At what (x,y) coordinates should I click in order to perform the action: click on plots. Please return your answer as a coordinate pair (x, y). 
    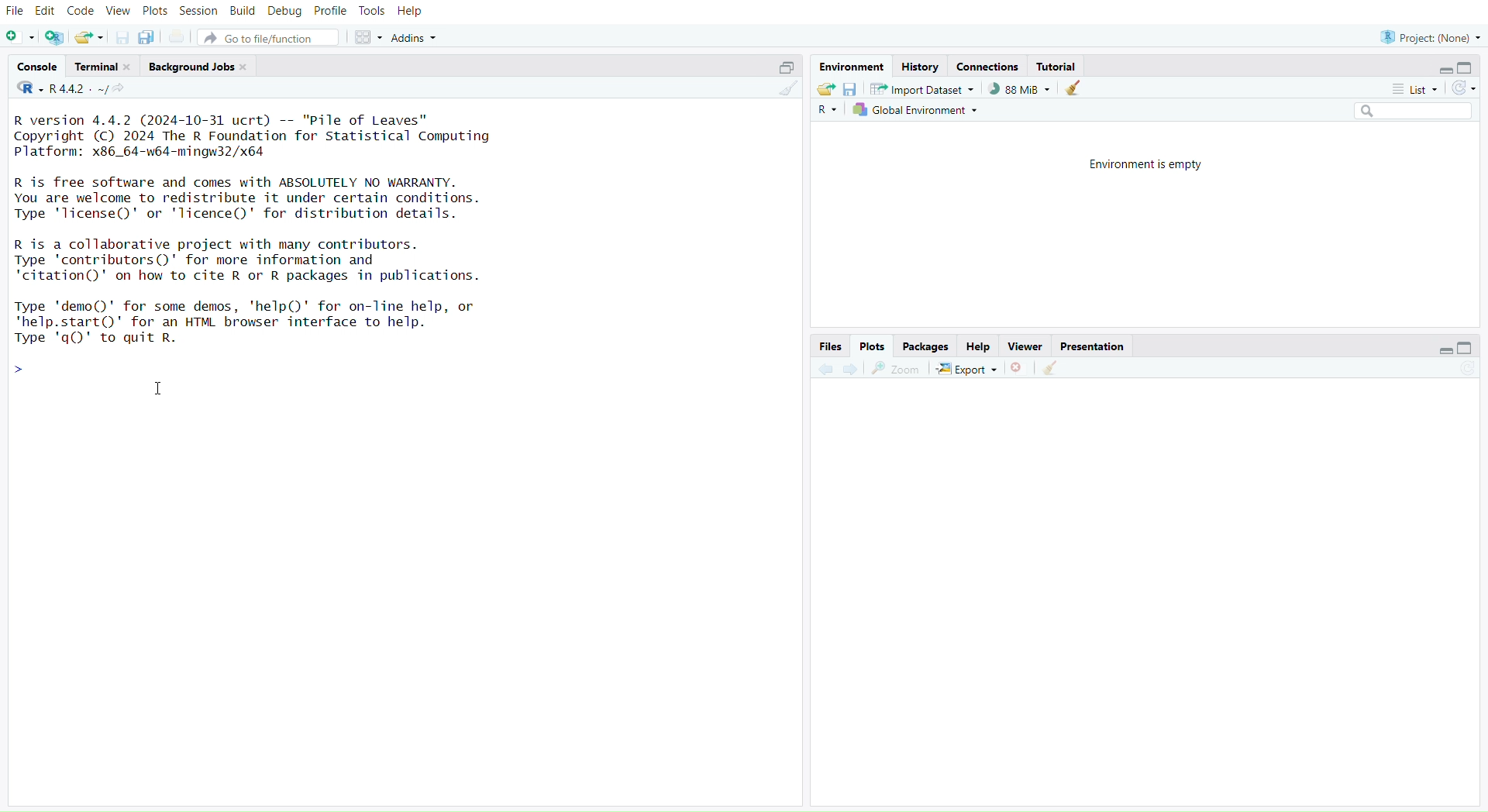
    Looking at the image, I should click on (873, 346).